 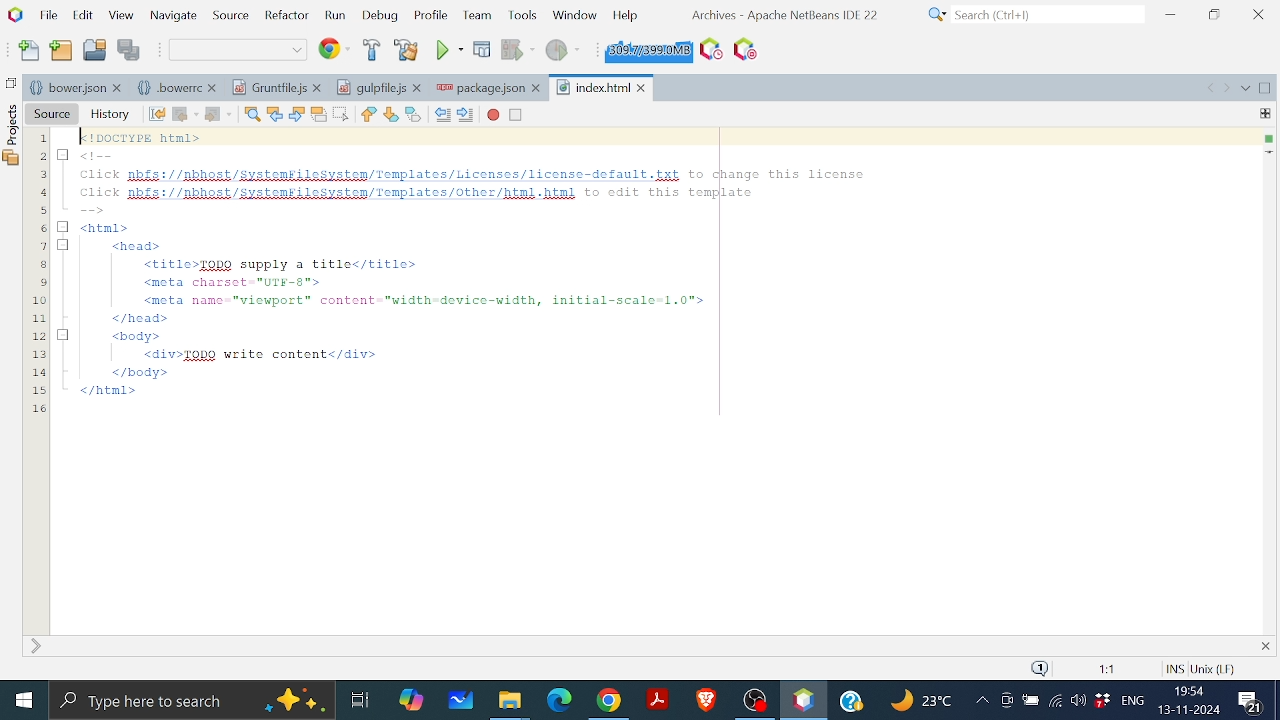 I want to click on Click pbfs://pbhest/systenkilesysten/Templates/Licenses/license-default.txt to change this license, so click(x=471, y=175).